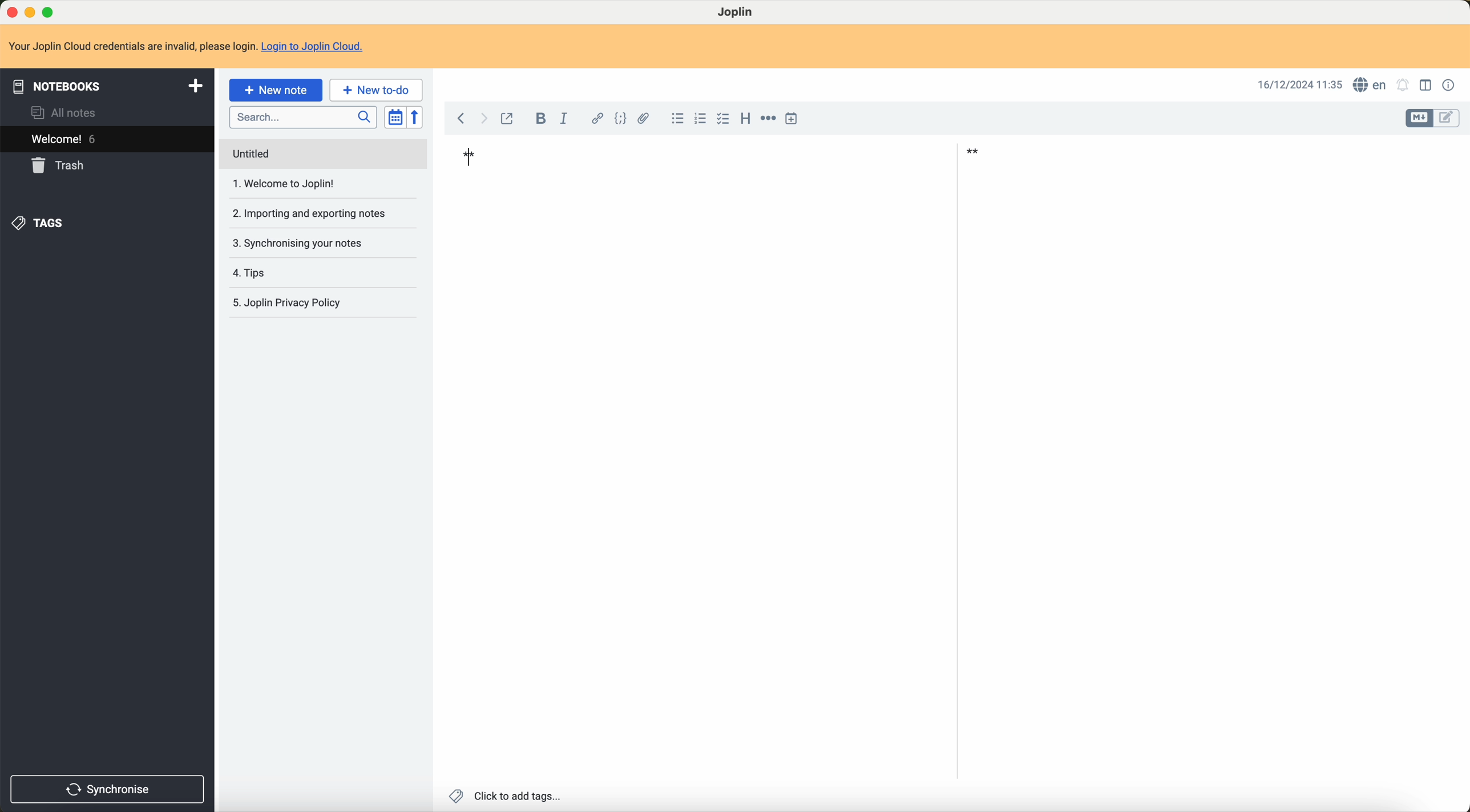 This screenshot has height=812, width=1470. I want to click on click to add tags, so click(506, 795).